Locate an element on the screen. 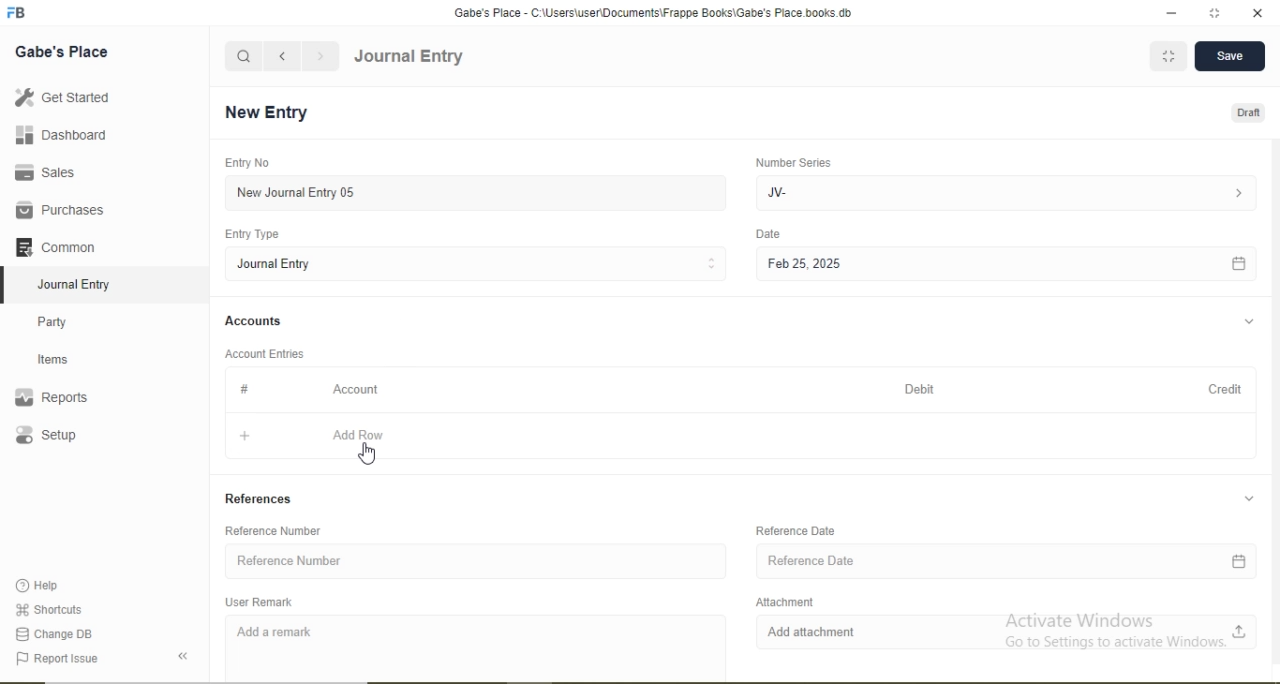 The height and width of the screenshot is (684, 1280). + Add Row is located at coordinates (738, 437).